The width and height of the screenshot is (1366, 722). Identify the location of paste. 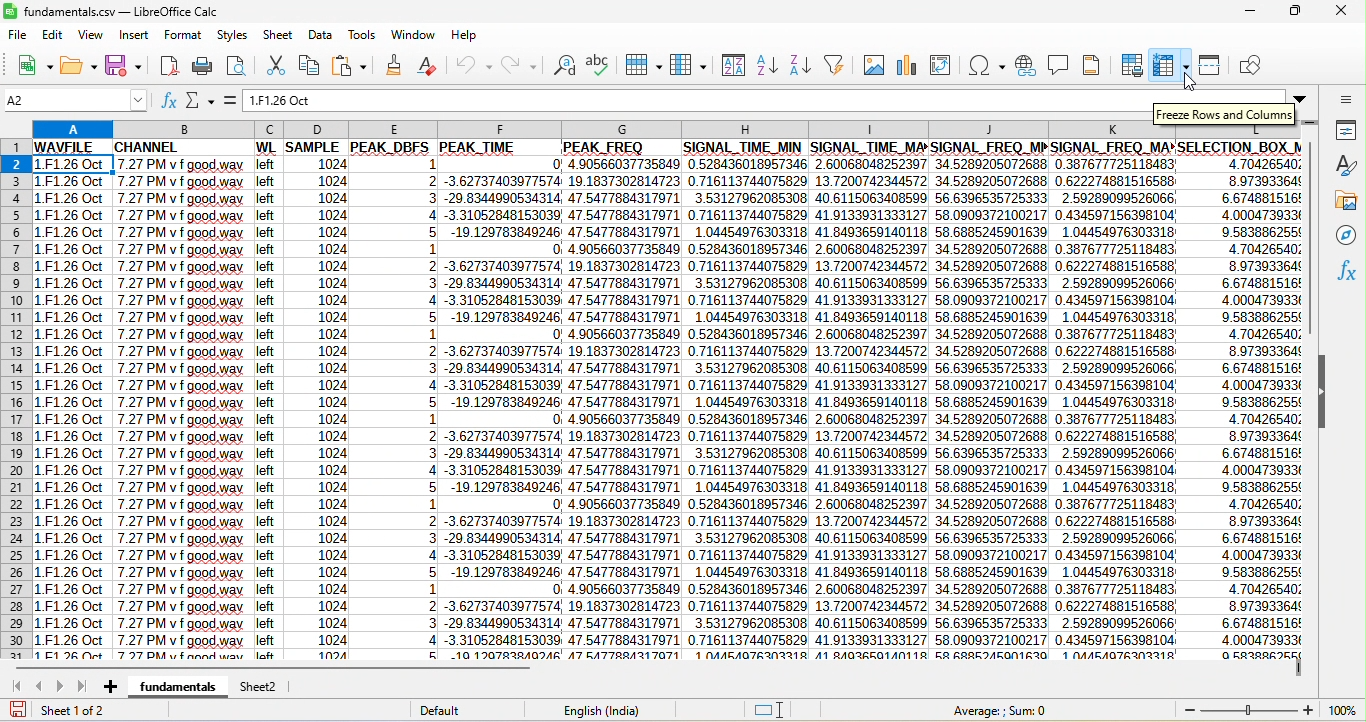
(355, 64).